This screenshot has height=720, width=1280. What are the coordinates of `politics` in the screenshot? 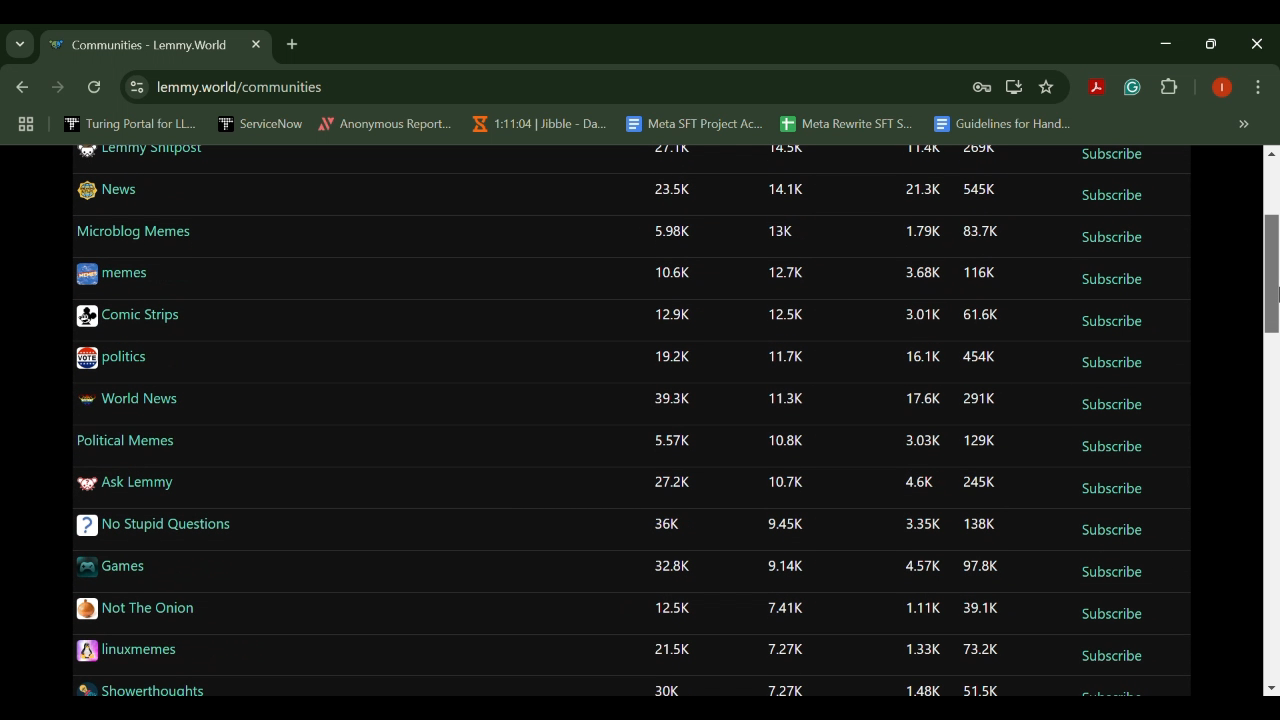 It's located at (114, 358).